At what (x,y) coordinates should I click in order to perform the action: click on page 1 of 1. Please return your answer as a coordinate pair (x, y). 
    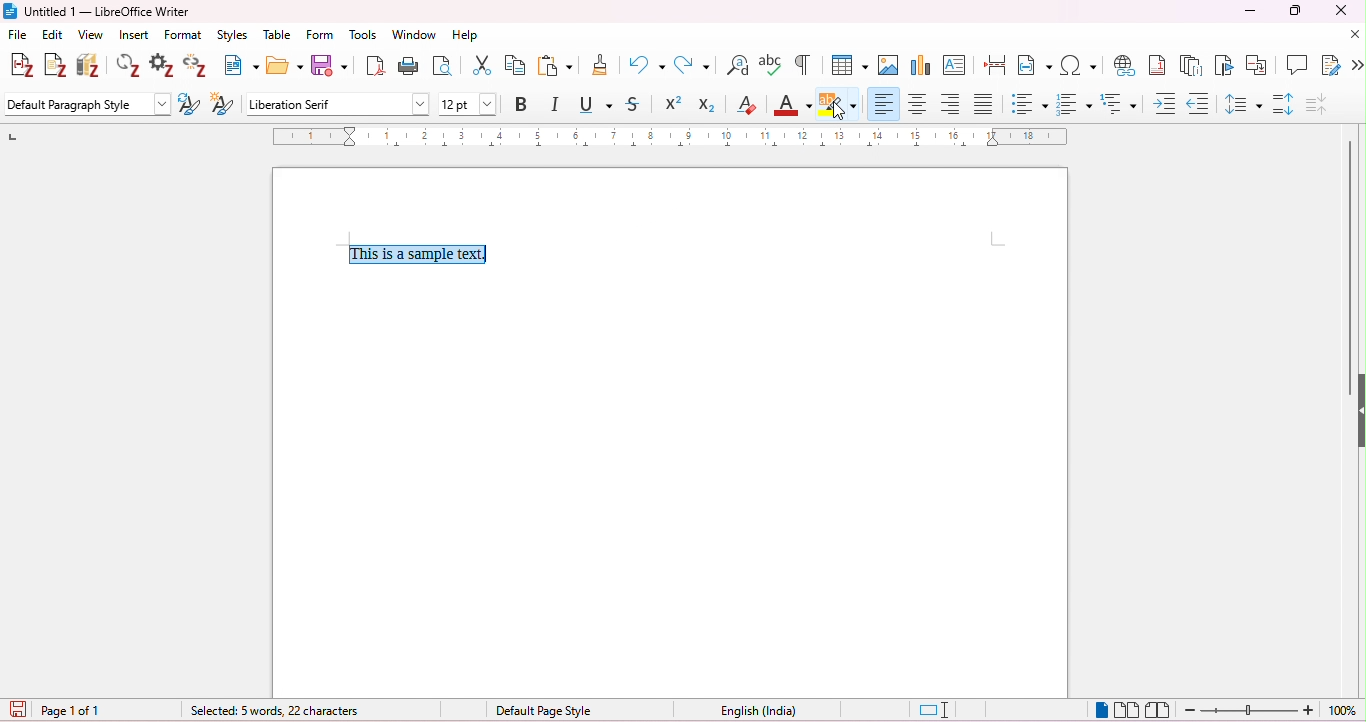
    Looking at the image, I should click on (81, 711).